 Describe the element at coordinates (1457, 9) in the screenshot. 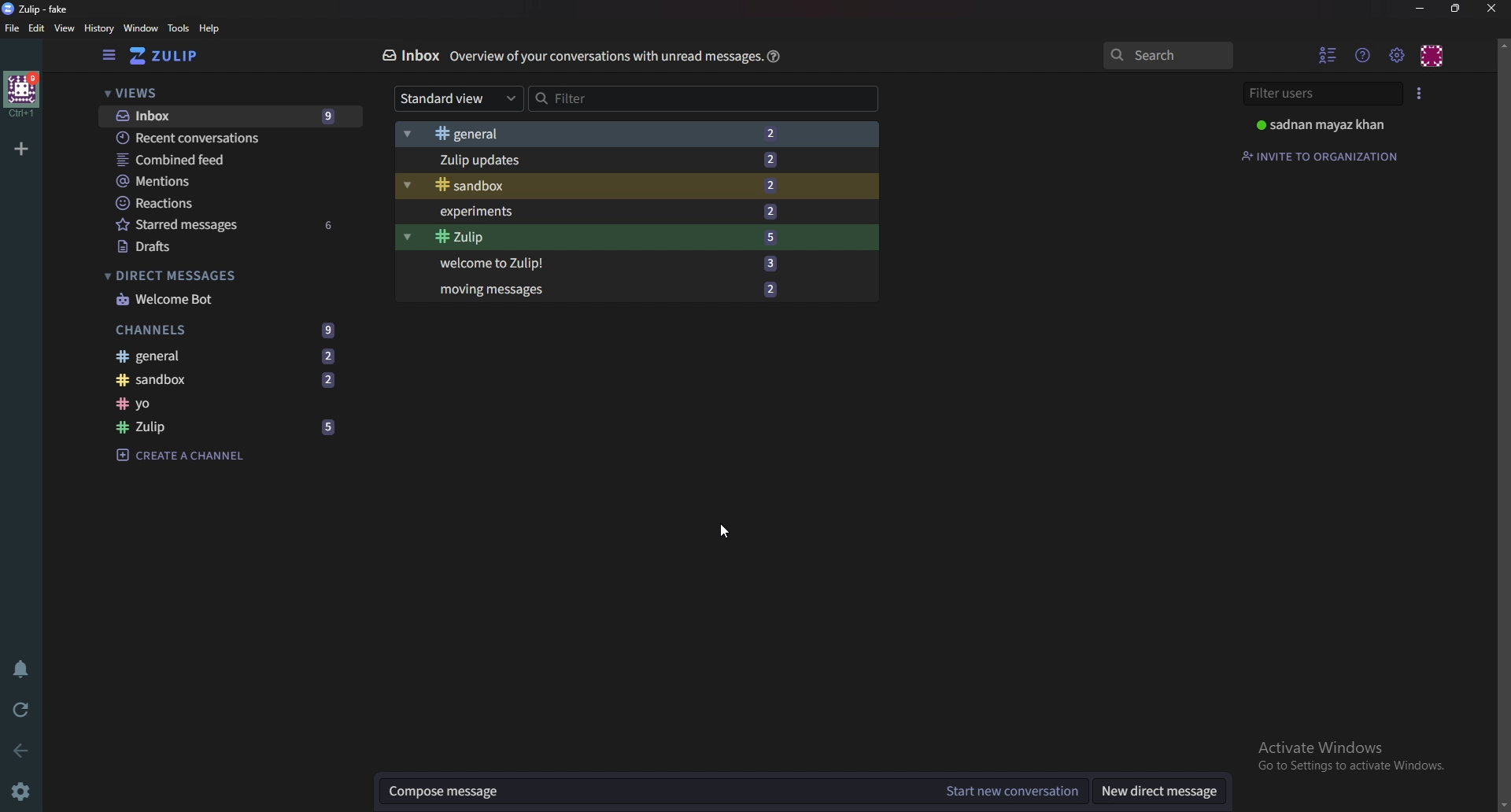

I see `Resize` at that location.